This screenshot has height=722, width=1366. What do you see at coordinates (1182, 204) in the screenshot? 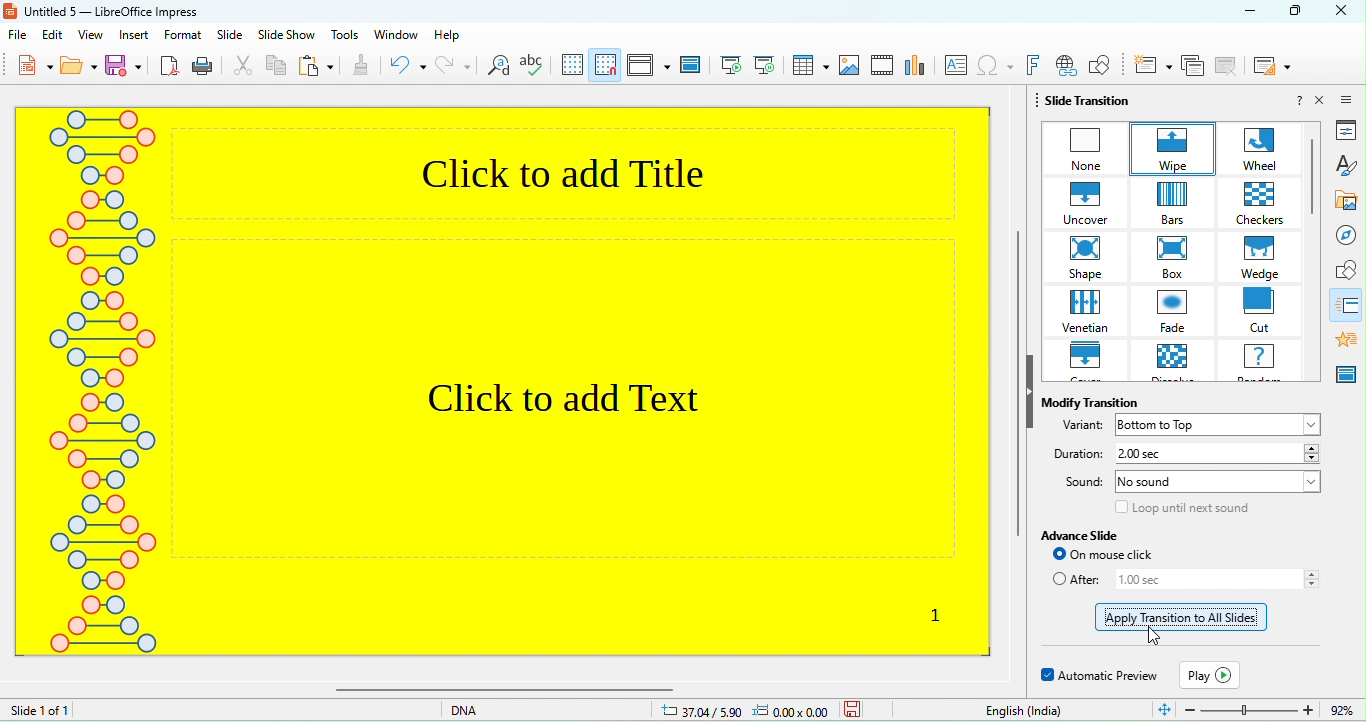
I see `bars` at bounding box center [1182, 204].